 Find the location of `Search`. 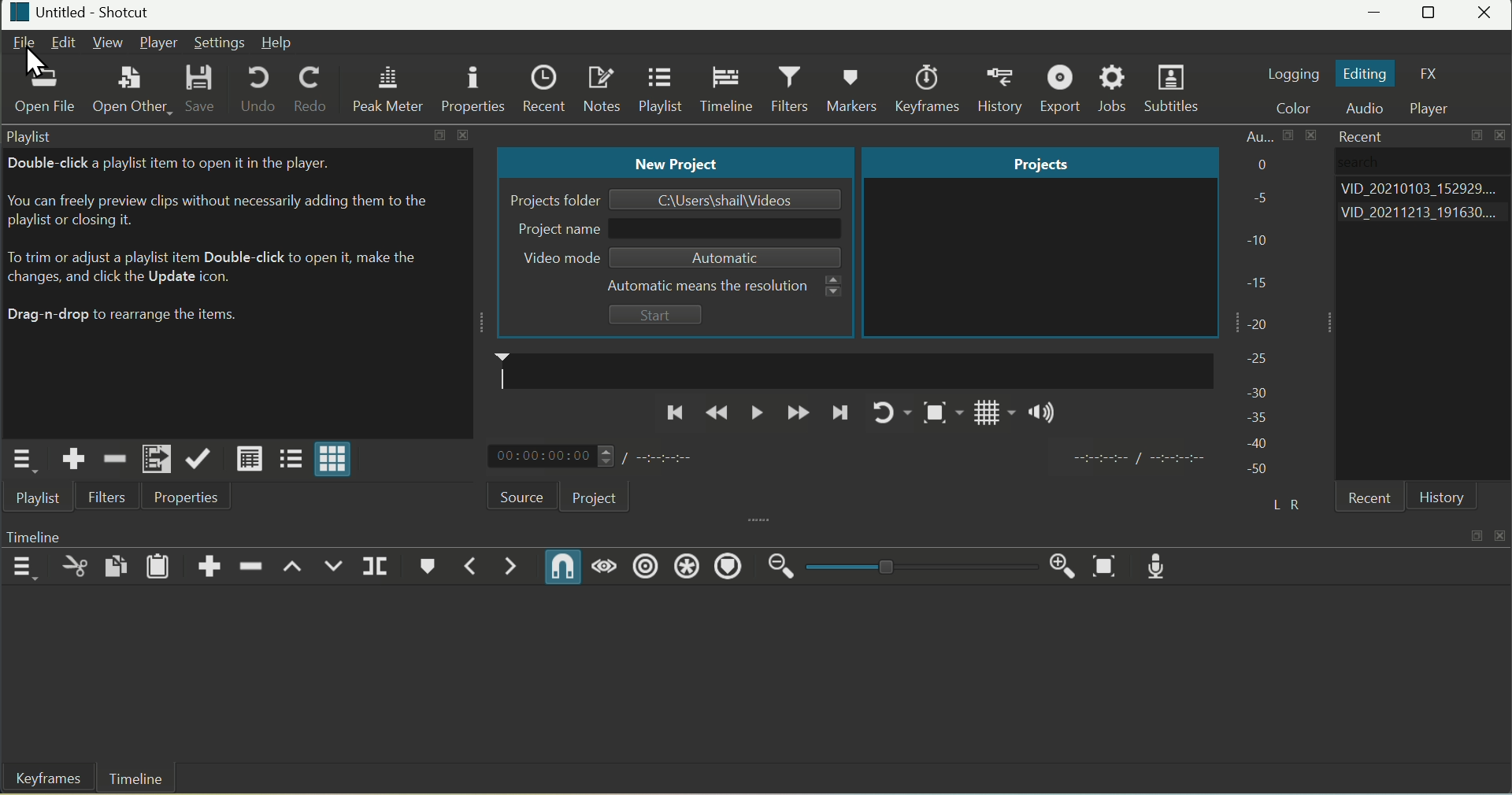

Search is located at coordinates (1382, 164).